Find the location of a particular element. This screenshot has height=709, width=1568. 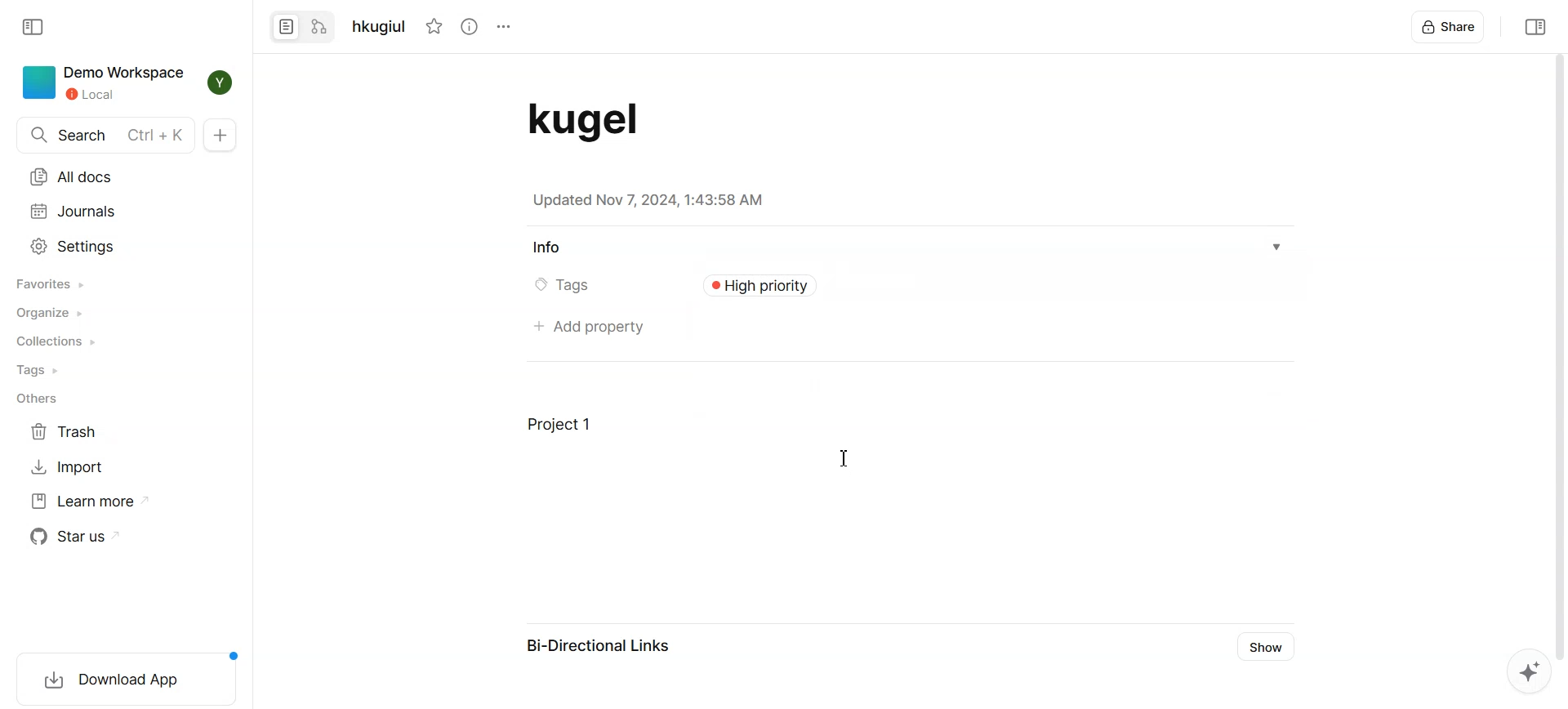

Search Ctrl + K is located at coordinates (105, 135).